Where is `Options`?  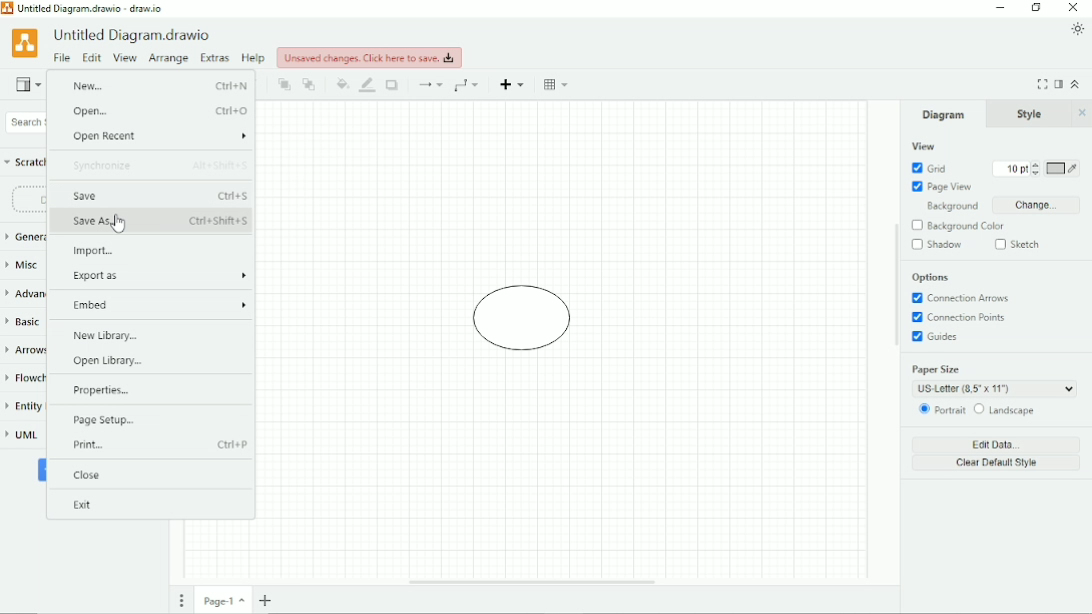
Options is located at coordinates (931, 278).